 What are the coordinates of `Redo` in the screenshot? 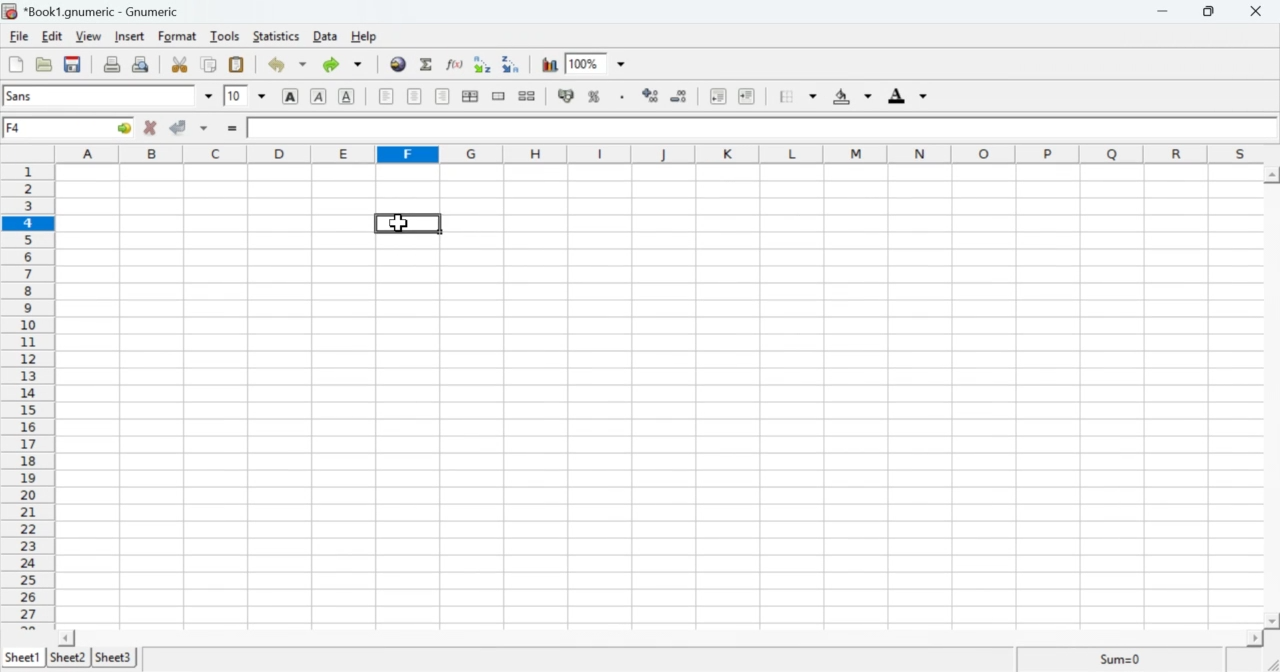 It's located at (341, 66).